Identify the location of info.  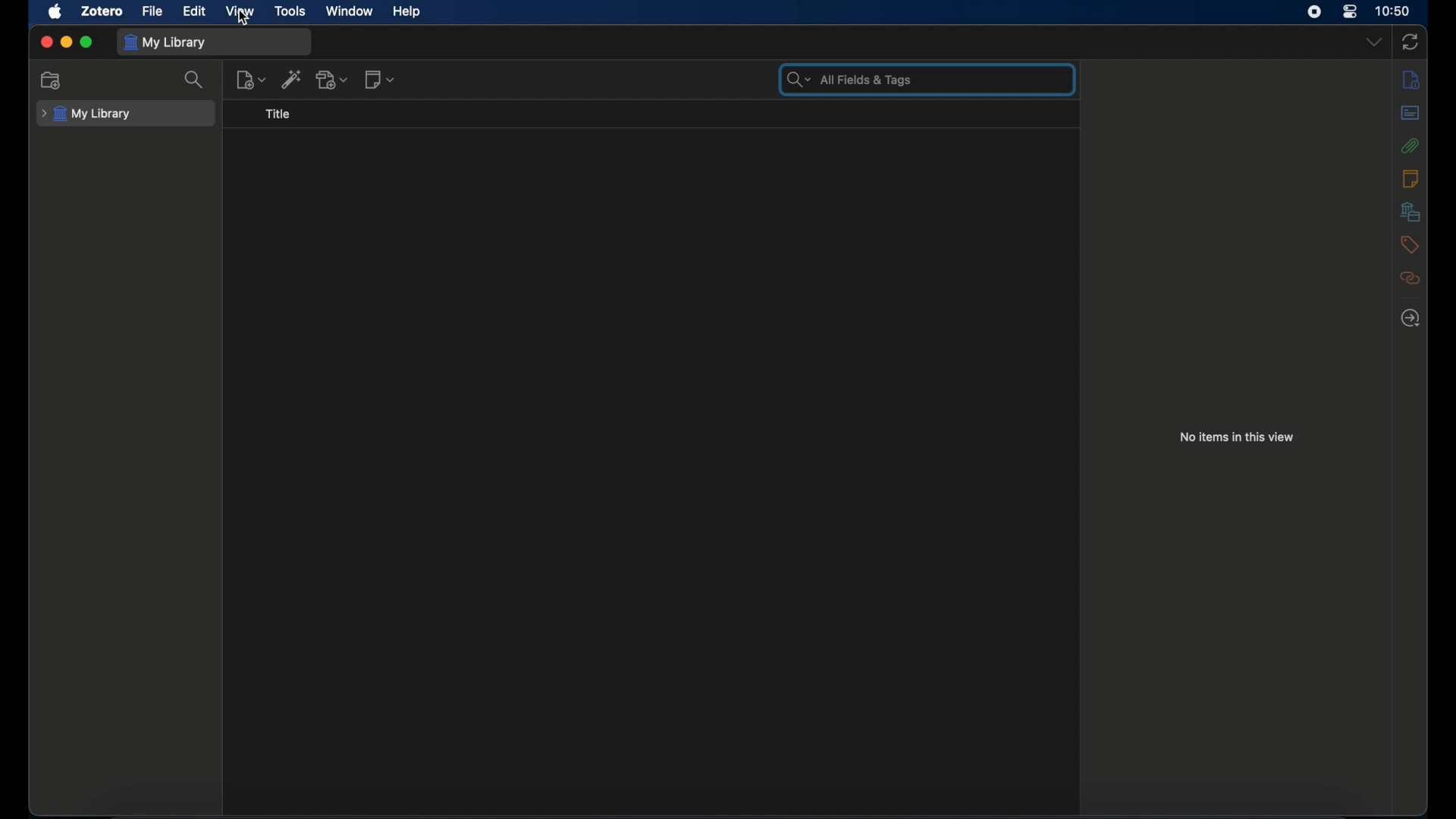
(1410, 80).